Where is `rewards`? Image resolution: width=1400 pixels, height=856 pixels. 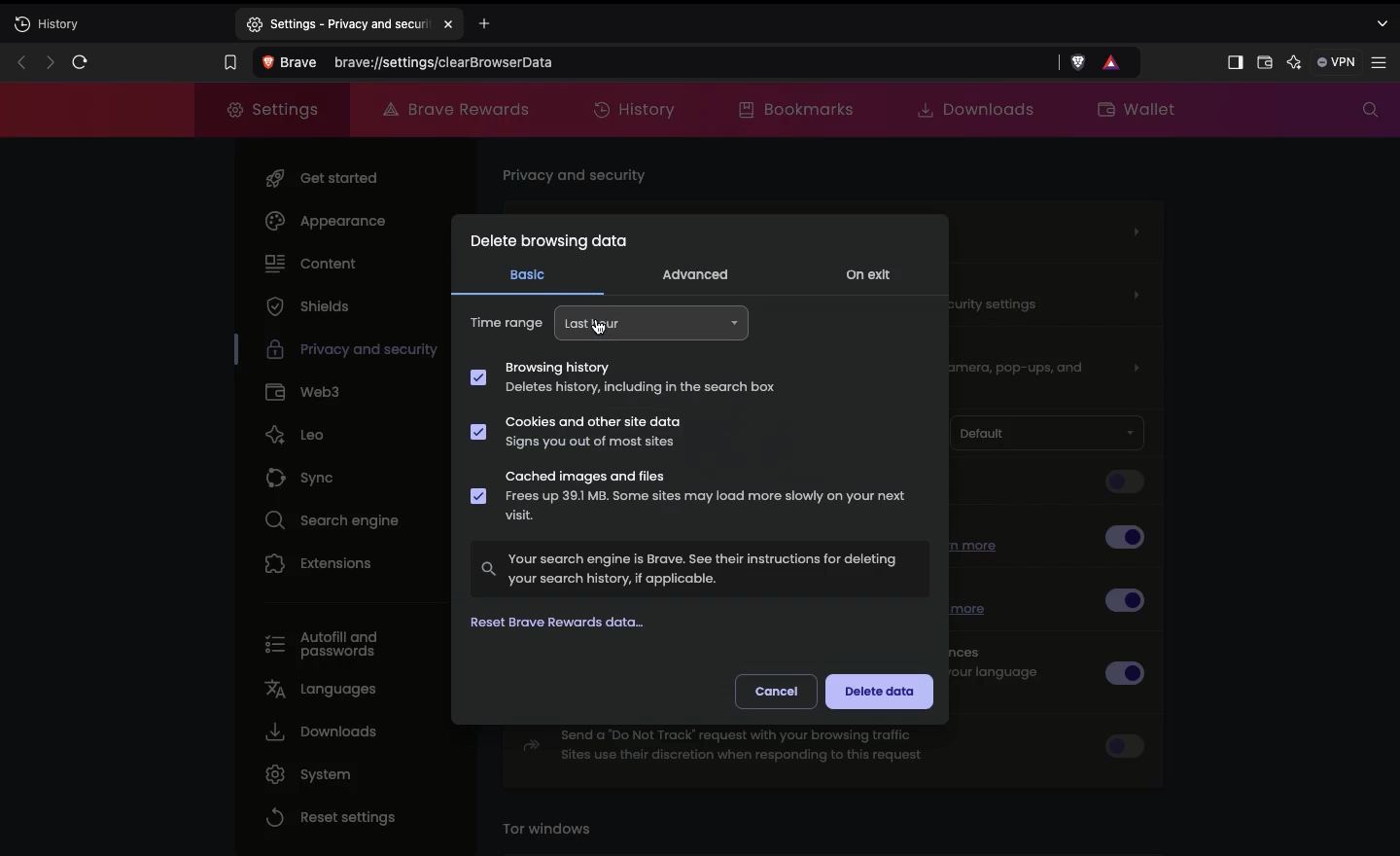
rewards is located at coordinates (1113, 61).